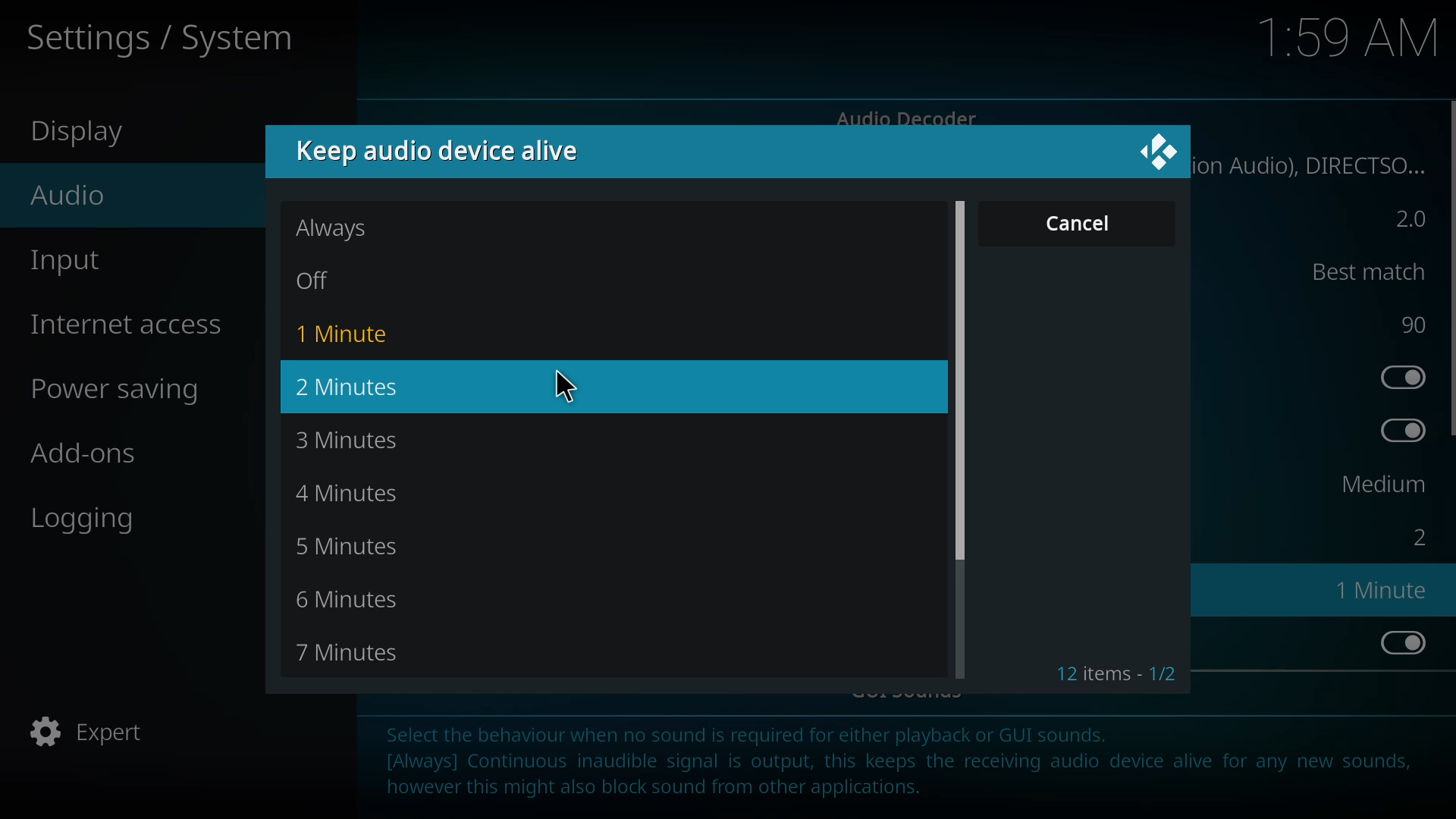 The height and width of the screenshot is (819, 1456). I want to click on internet access, so click(133, 325).